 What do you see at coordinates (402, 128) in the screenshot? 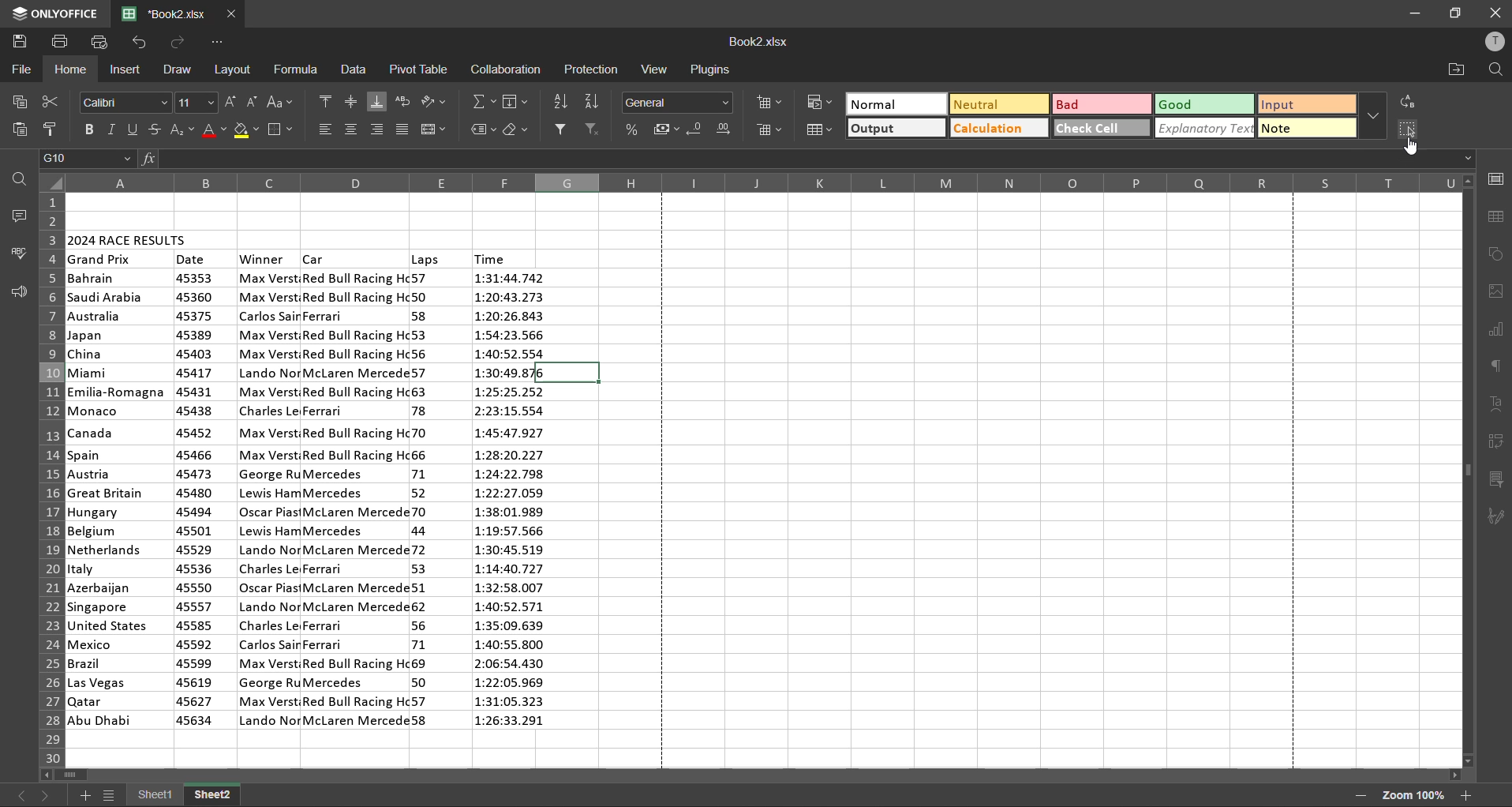
I see `justified` at bounding box center [402, 128].